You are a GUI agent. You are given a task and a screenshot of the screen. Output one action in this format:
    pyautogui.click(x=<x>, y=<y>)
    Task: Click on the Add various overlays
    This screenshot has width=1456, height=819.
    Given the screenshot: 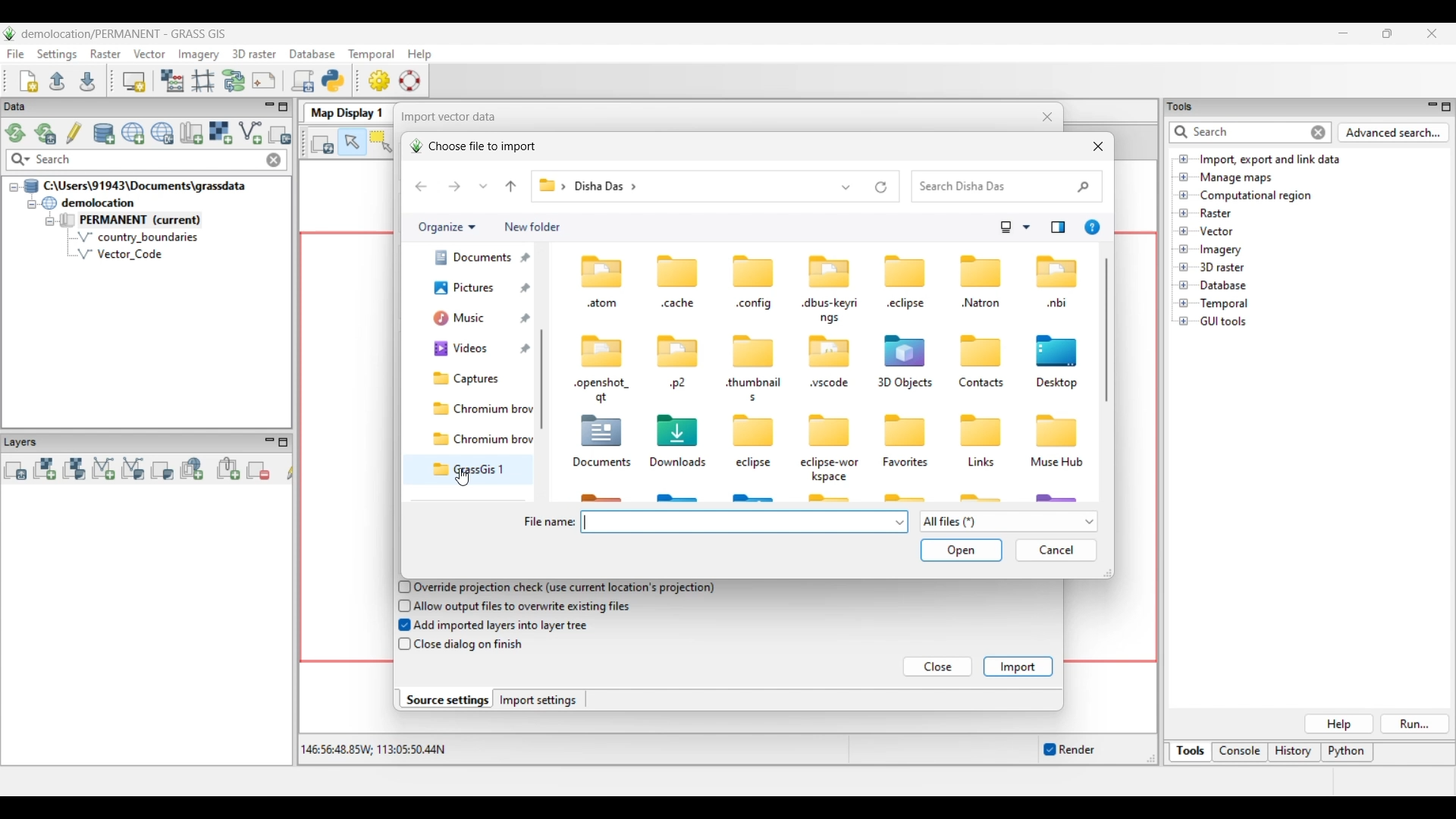 What is the action you would take?
    pyautogui.click(x=162, y=470)
    